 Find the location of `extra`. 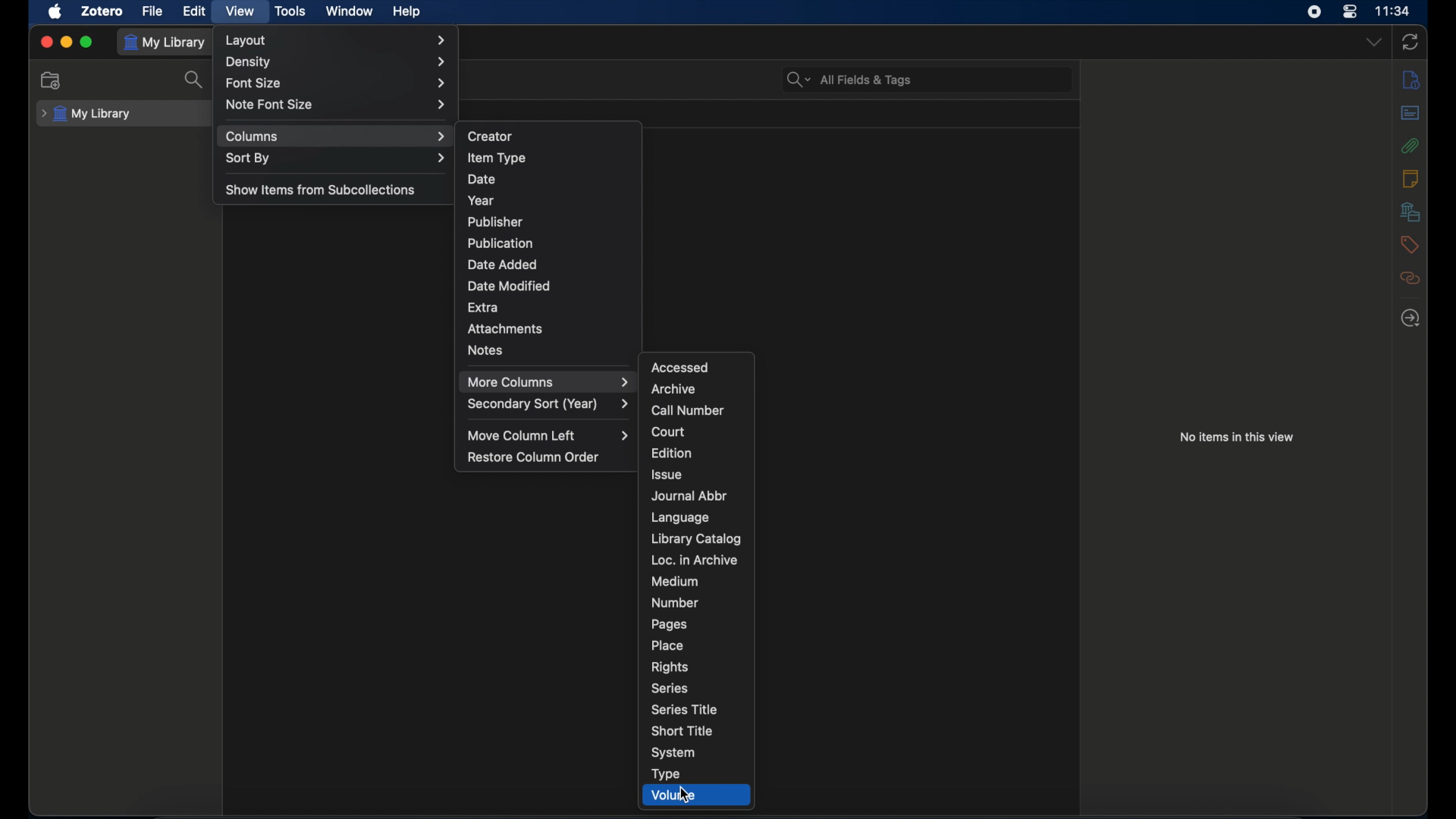

extra is located at coordinates (484, 307).